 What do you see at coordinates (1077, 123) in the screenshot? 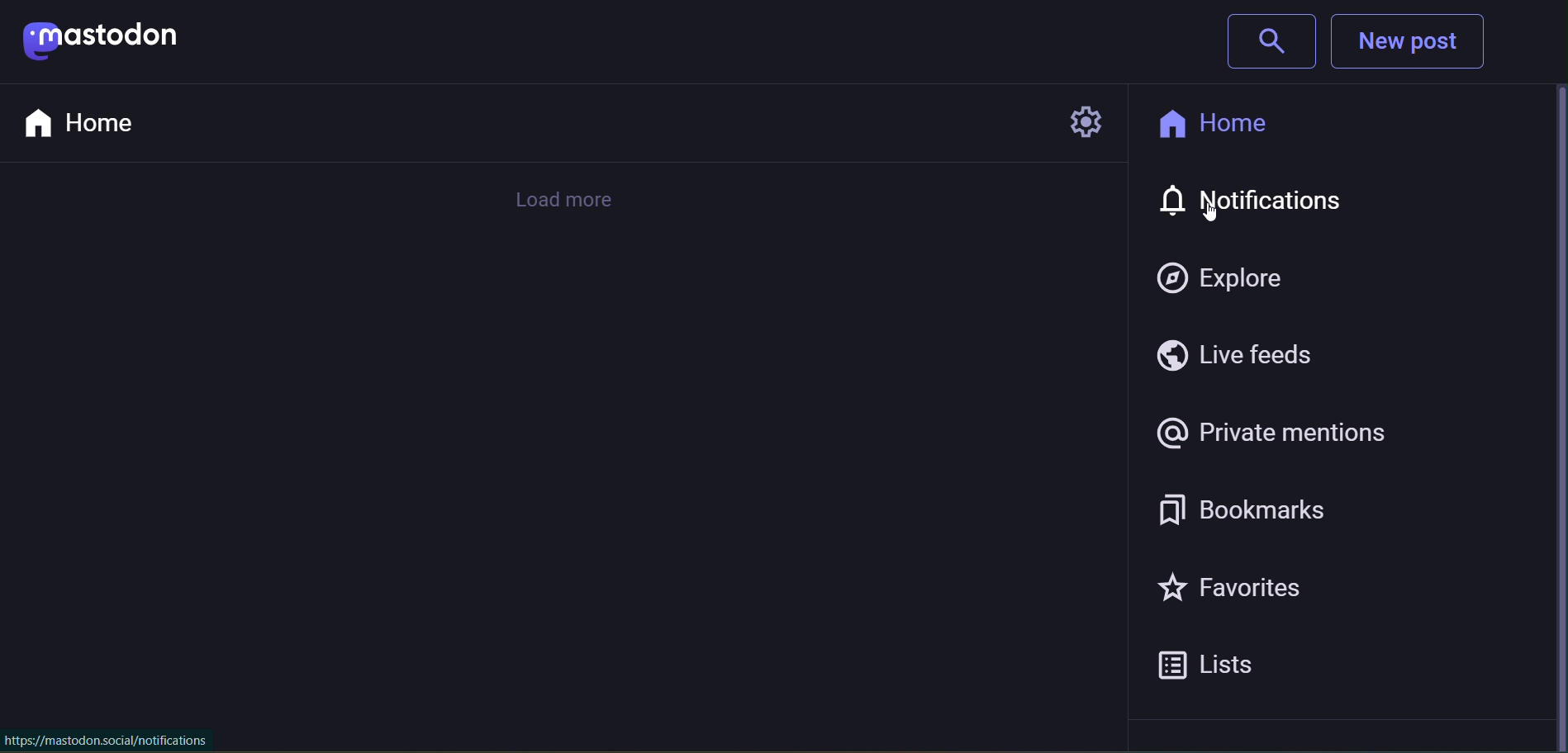
I see `Settings` at bounding box center [1077, 123].